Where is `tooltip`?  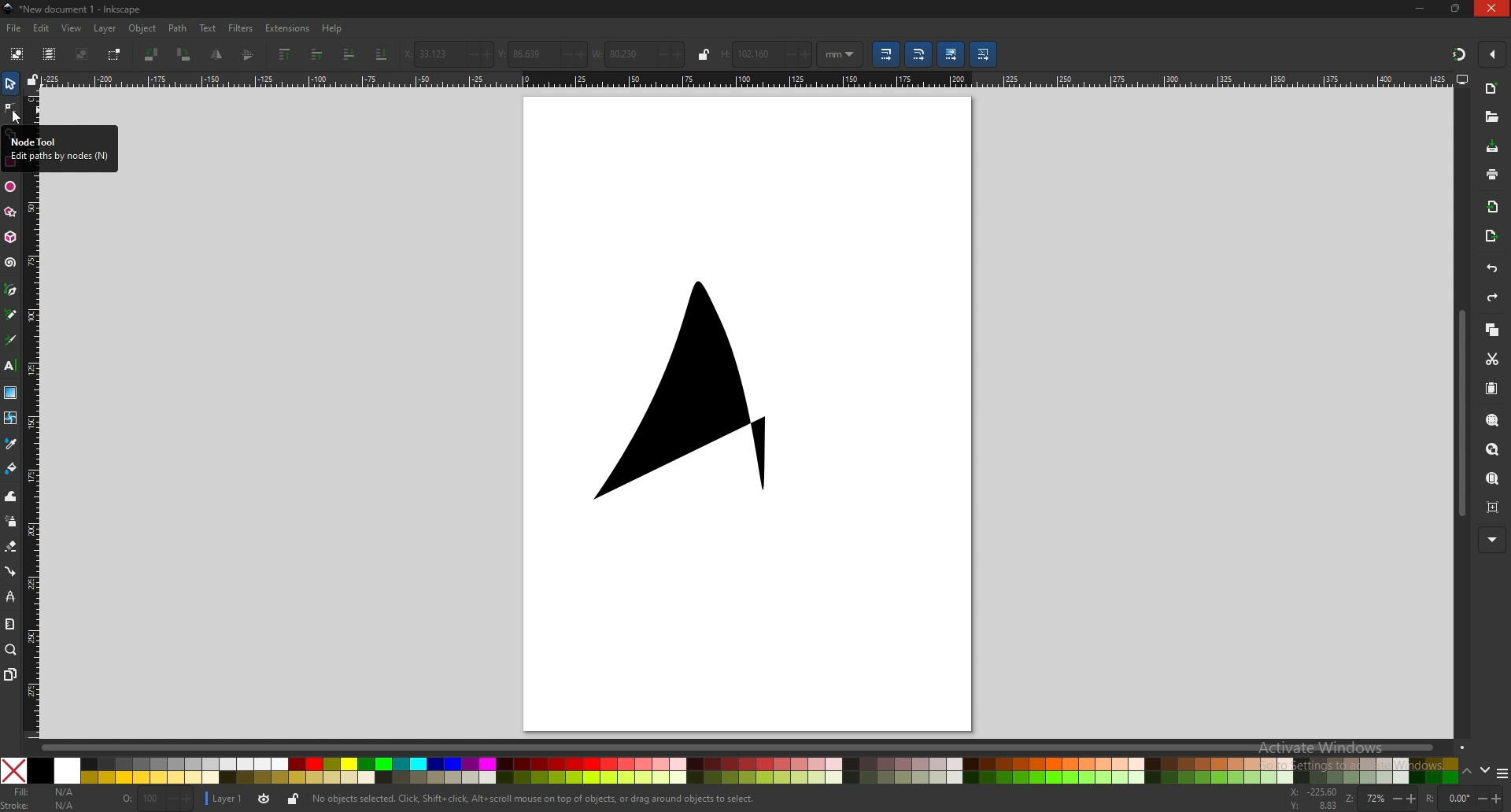
tooltip is located at coordinates (60, 149).